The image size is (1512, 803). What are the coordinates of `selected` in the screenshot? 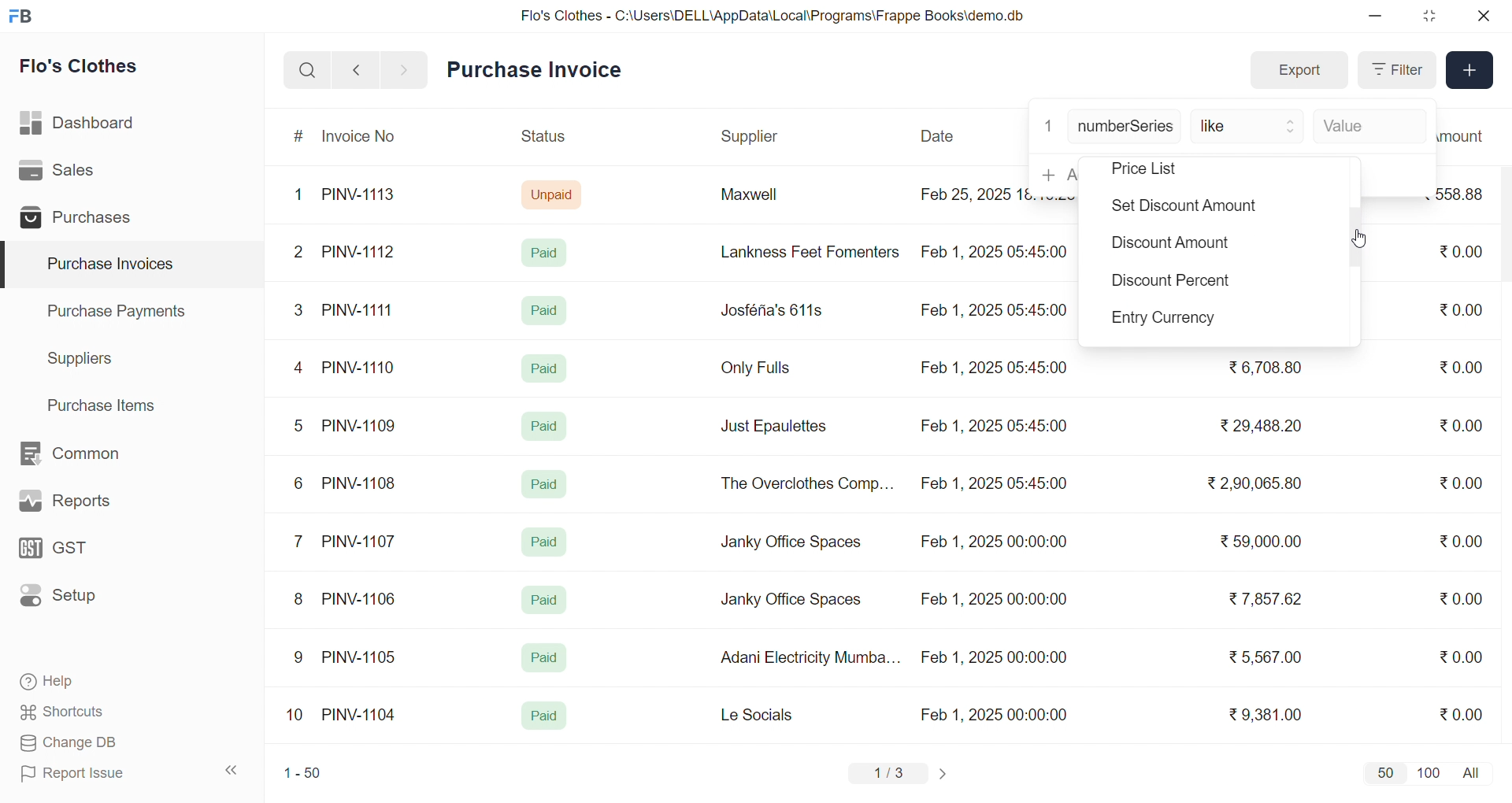 It's located at (9, 265).